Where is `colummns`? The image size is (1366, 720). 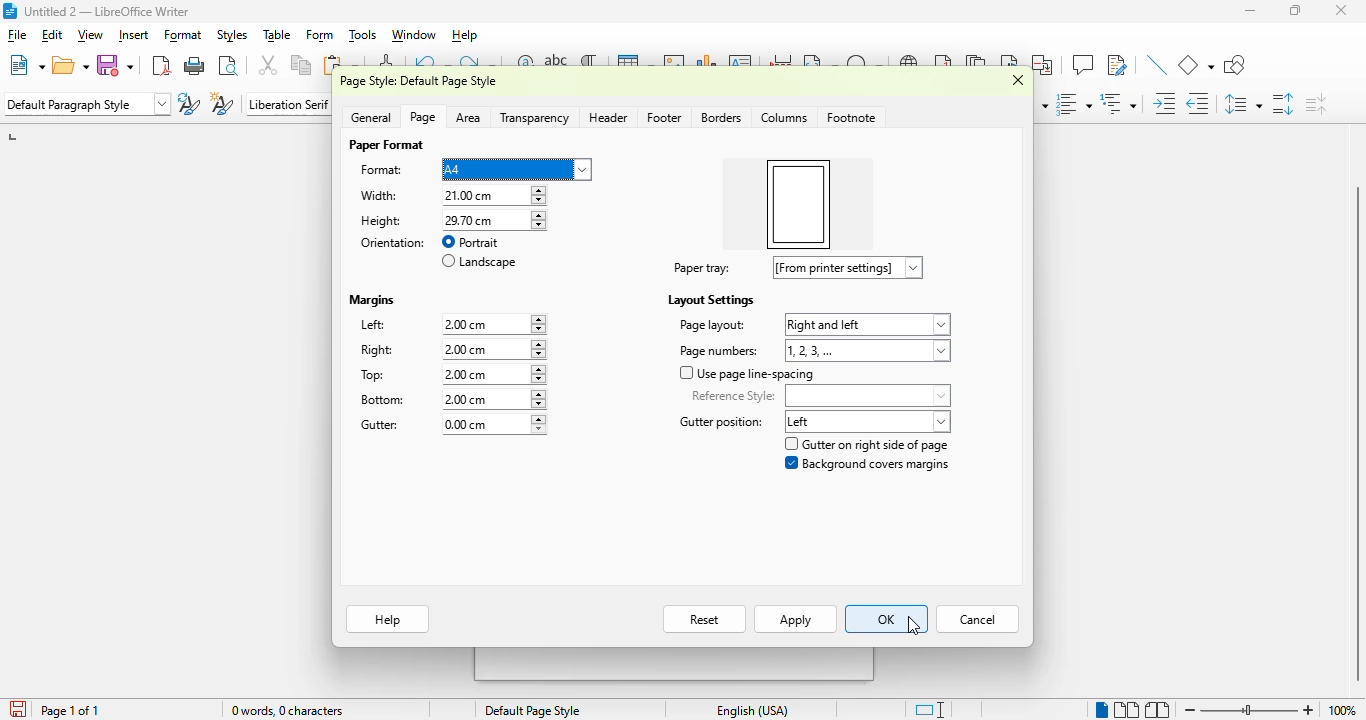 colummns is located at coordinates (785, 117).